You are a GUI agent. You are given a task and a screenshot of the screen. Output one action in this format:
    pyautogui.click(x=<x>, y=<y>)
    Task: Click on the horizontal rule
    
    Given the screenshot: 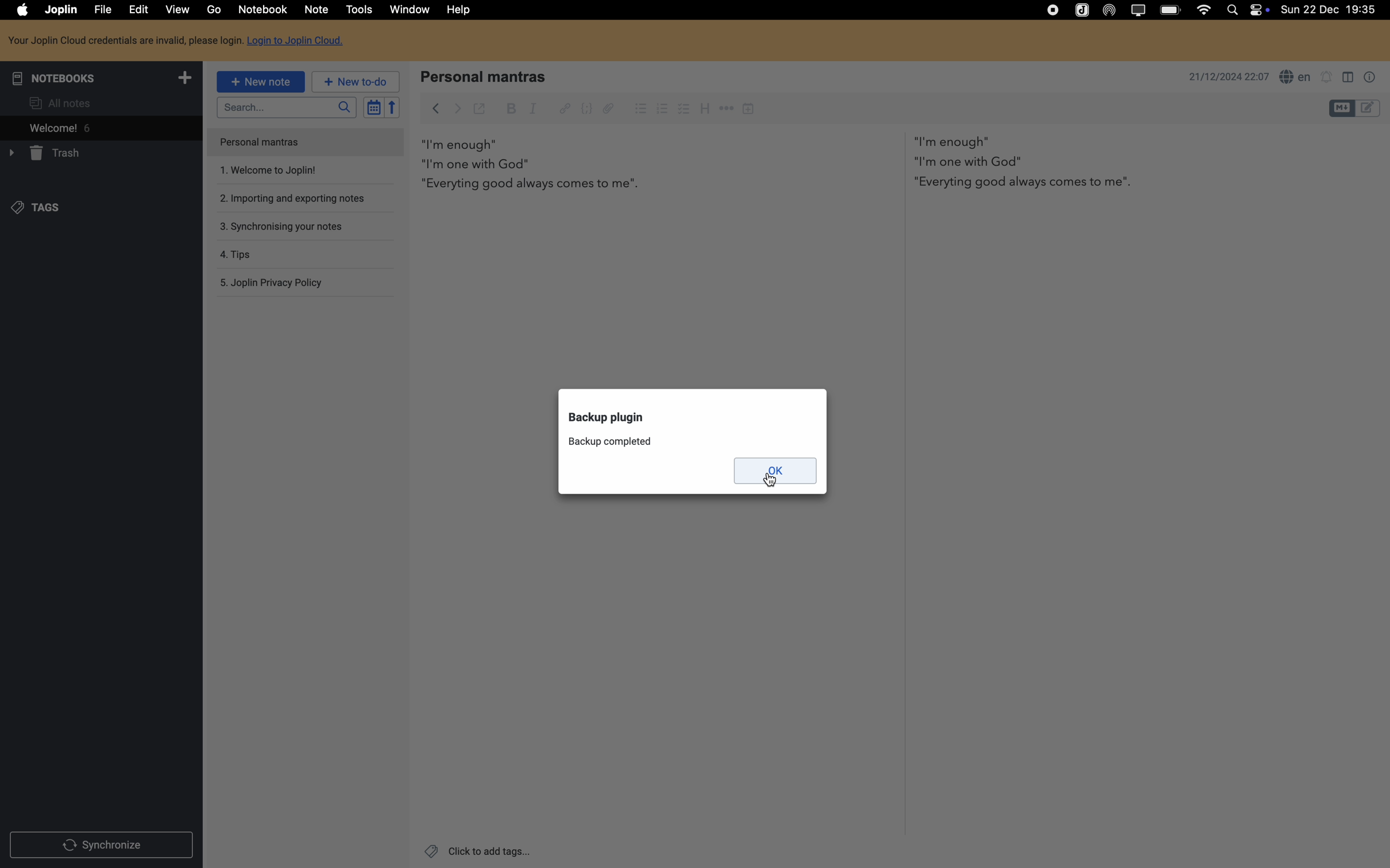 What is the action you would take?
    pyautogui.click(x=728, y=108)
    